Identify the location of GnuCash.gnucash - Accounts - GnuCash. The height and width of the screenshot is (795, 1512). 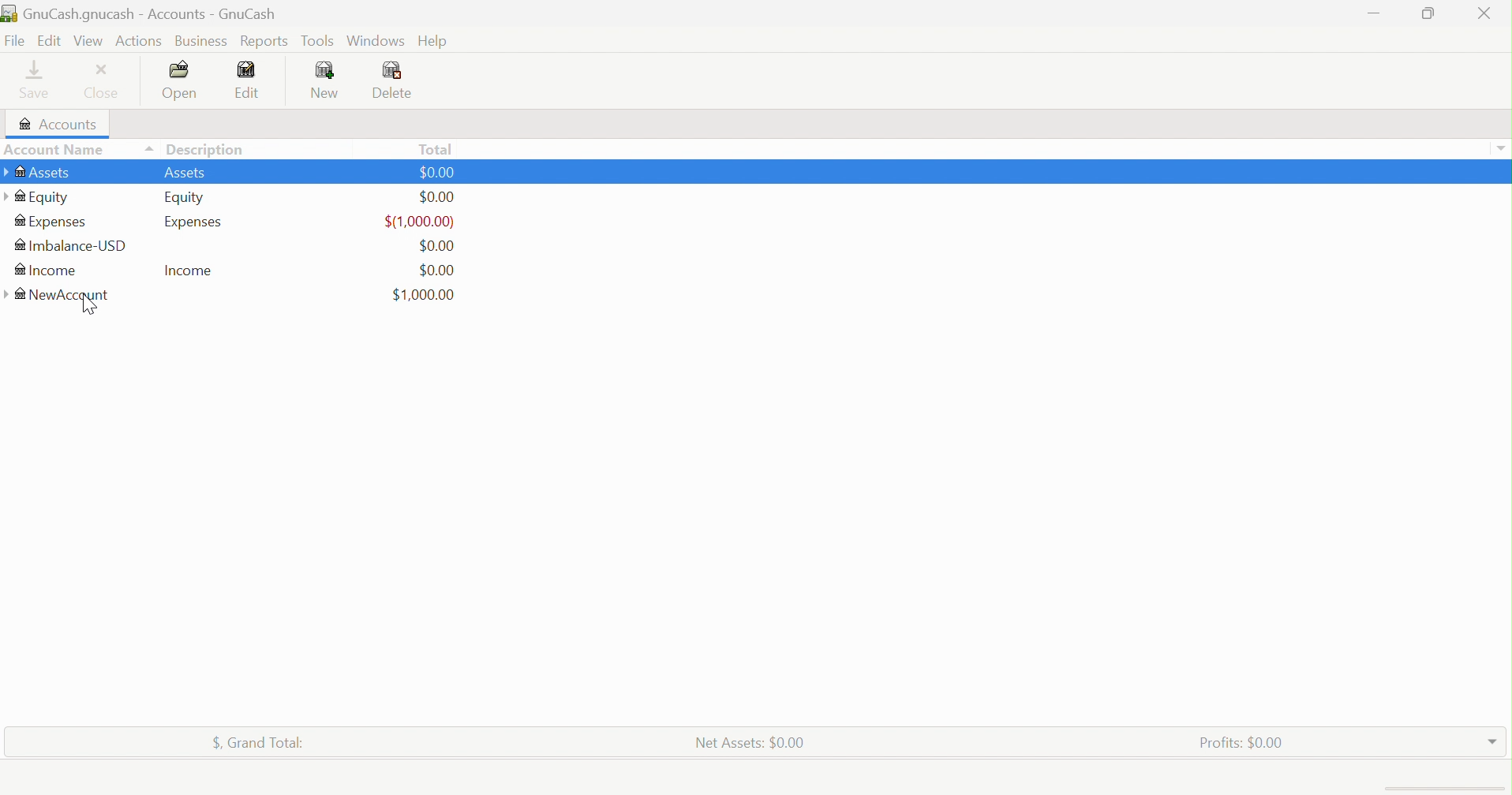
(142, 12).